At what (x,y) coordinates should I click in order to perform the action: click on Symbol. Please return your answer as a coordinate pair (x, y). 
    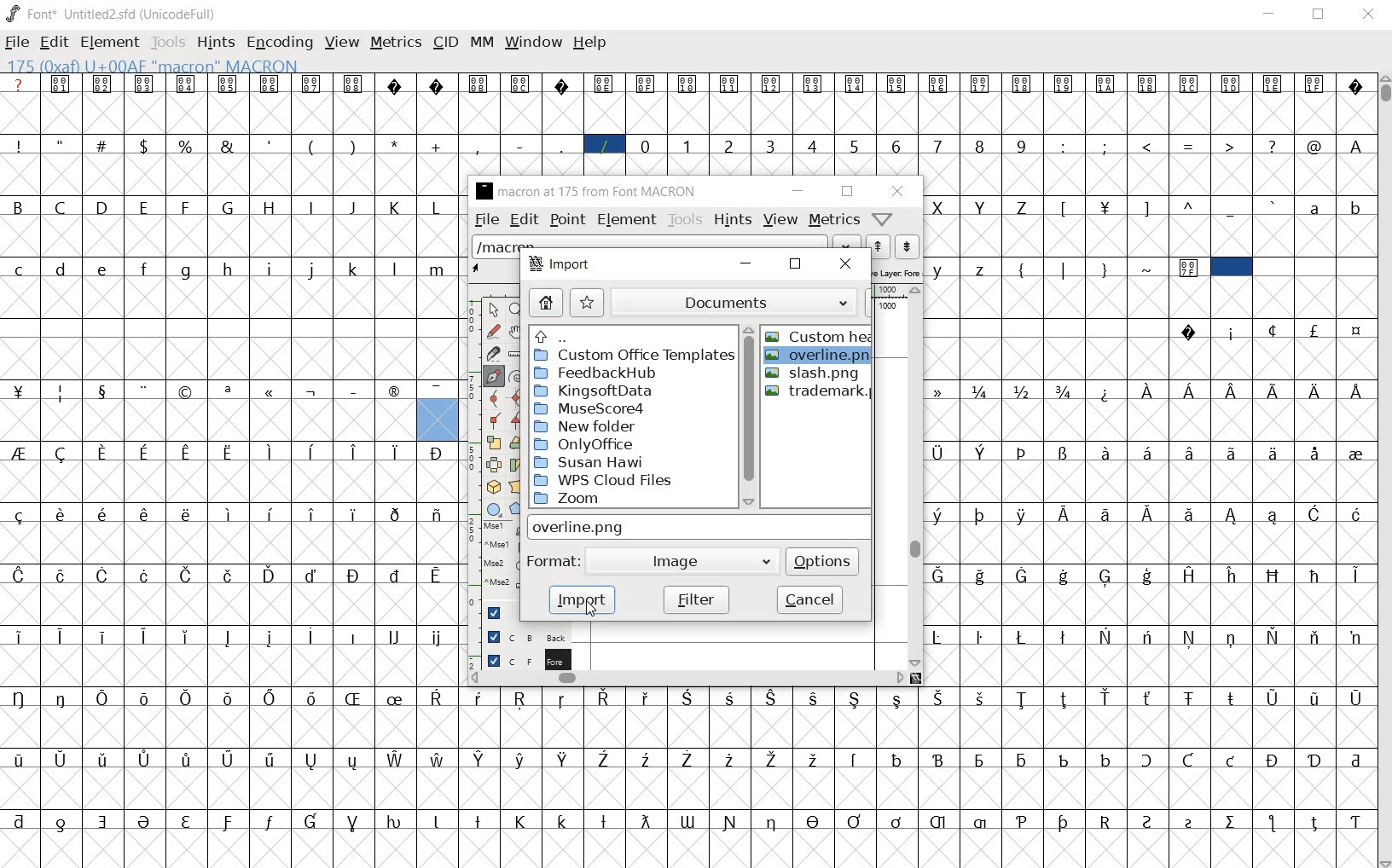
    Looking at the image, I should click on (188, 514).